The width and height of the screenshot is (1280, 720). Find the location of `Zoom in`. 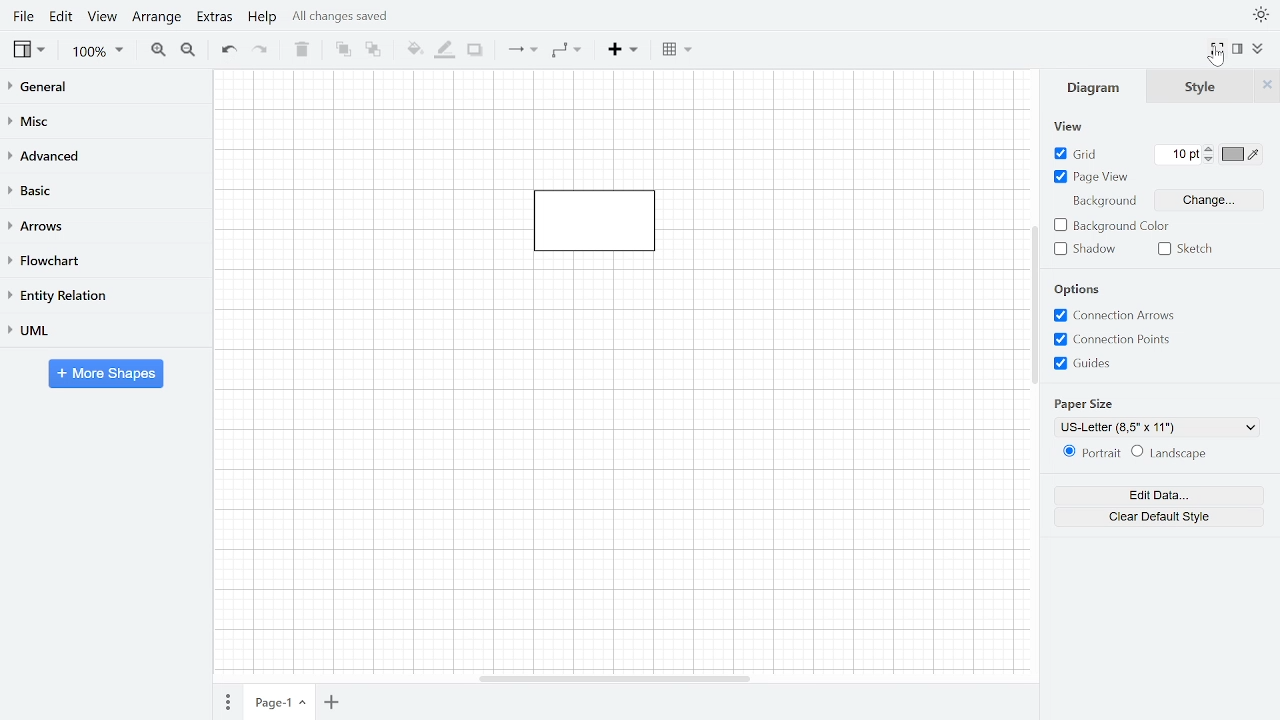

Zoom in is located at coordinates (157, 50).